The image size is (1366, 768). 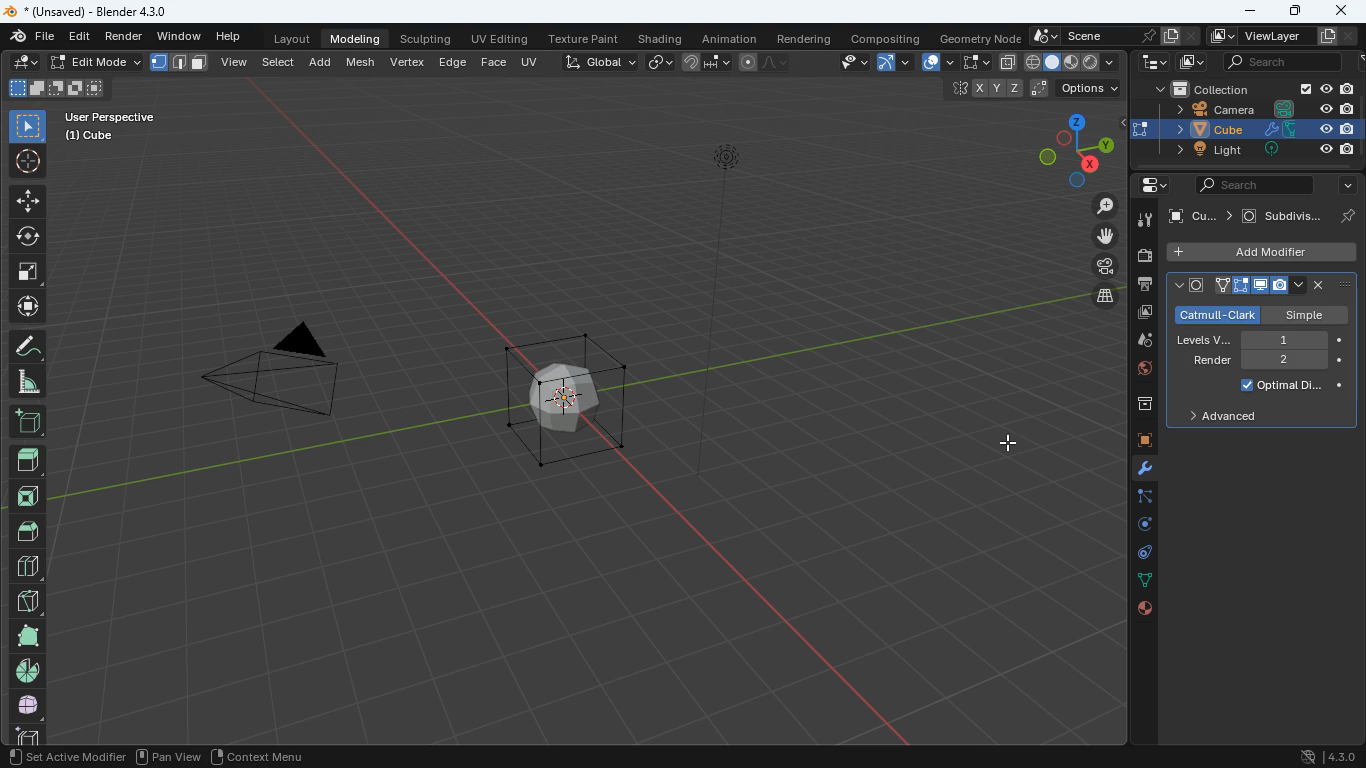 I want to click on pie, so click(x=31, y=671).